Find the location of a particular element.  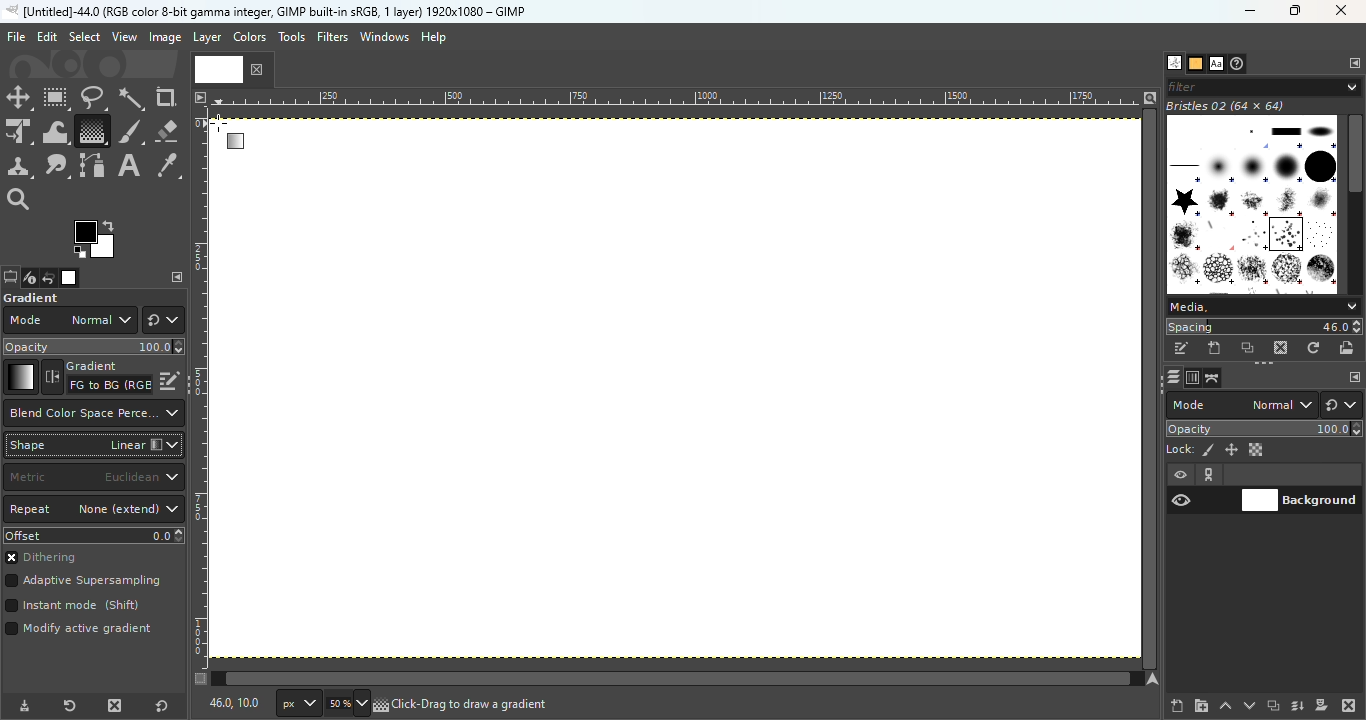

View is located at coordinates (125, 37).